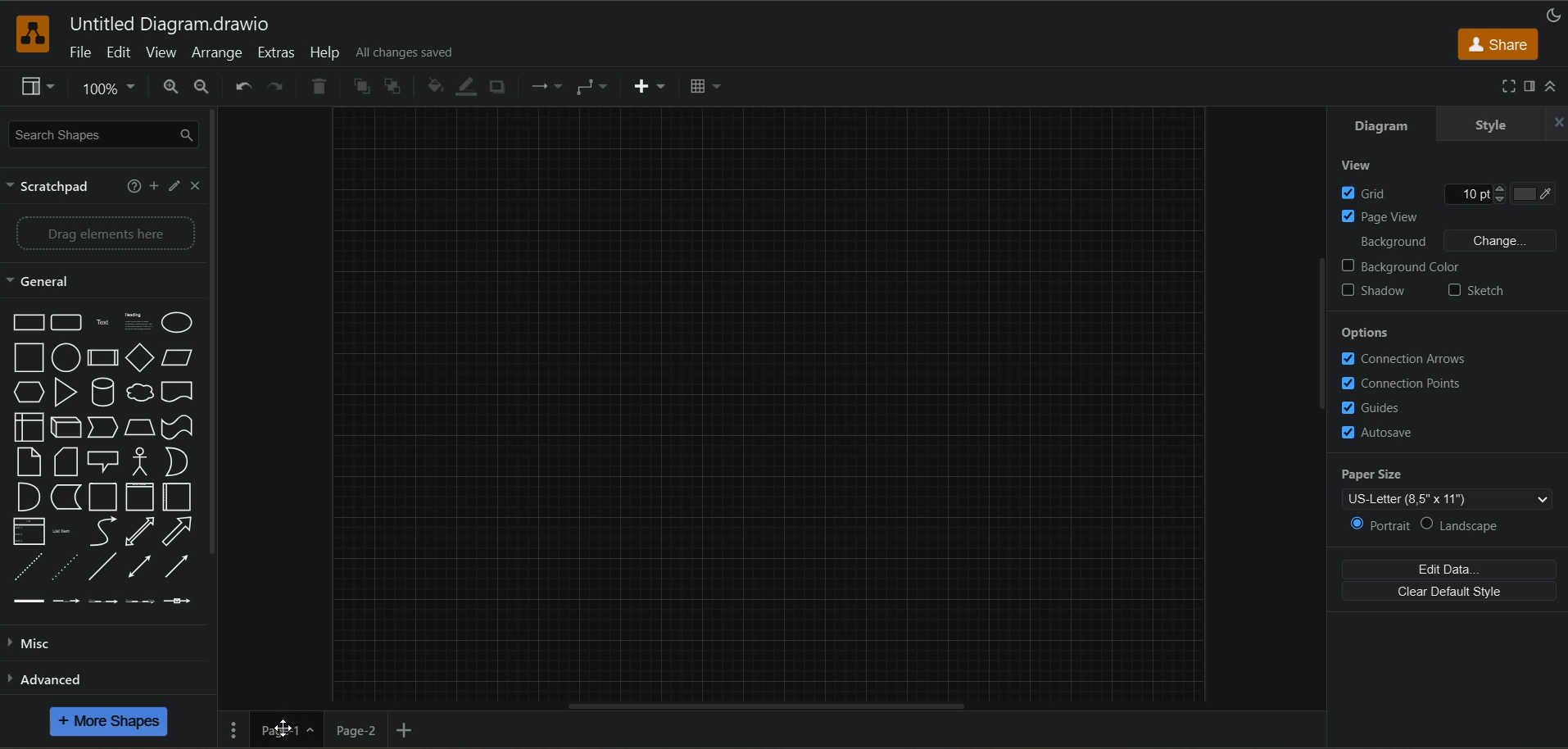  What do you see at coordinates (79, 52) in the screenshot?
I see `file` at bounding box center [79, 52].